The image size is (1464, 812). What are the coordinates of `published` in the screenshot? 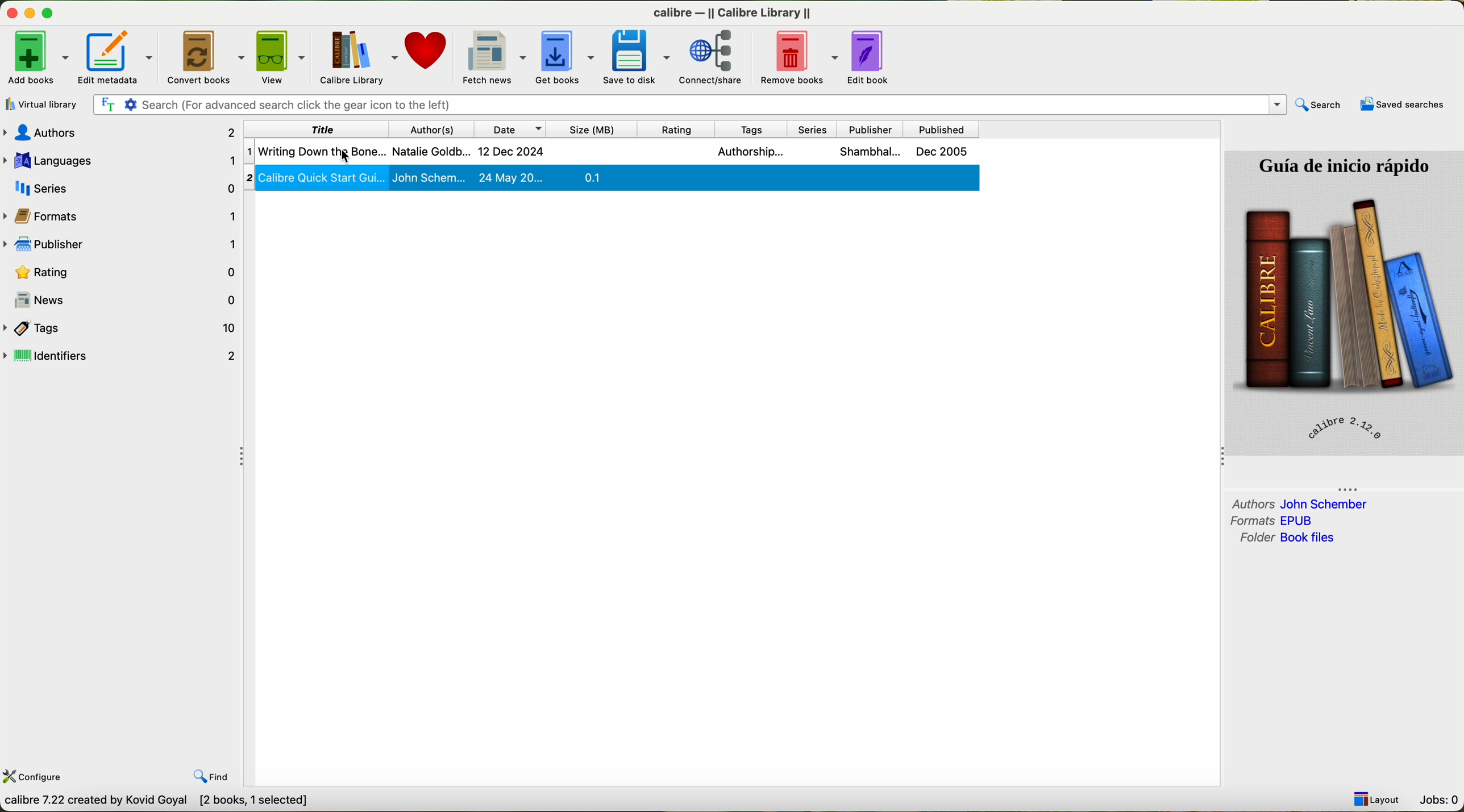 It's located at (942, 130).